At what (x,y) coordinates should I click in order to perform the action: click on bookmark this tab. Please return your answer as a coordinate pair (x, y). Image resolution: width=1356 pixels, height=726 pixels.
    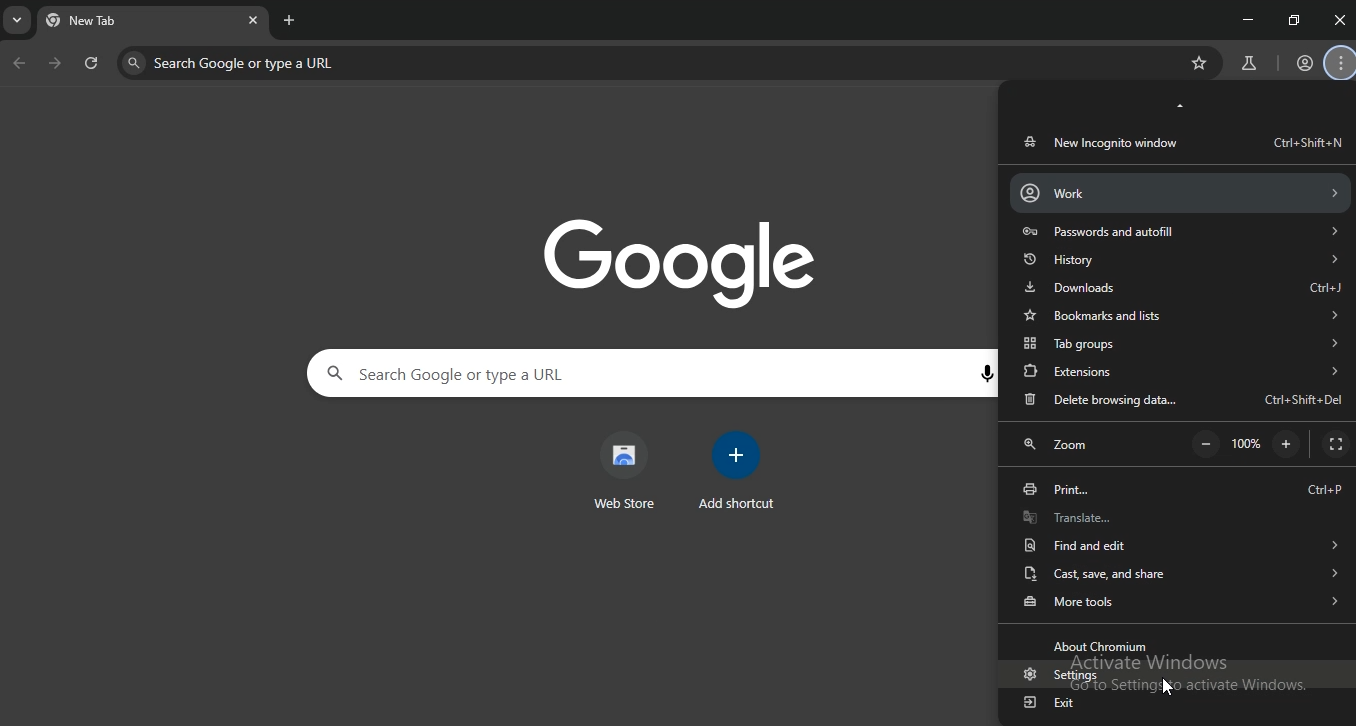
    Looking at the image, I should click on (1202, 63).